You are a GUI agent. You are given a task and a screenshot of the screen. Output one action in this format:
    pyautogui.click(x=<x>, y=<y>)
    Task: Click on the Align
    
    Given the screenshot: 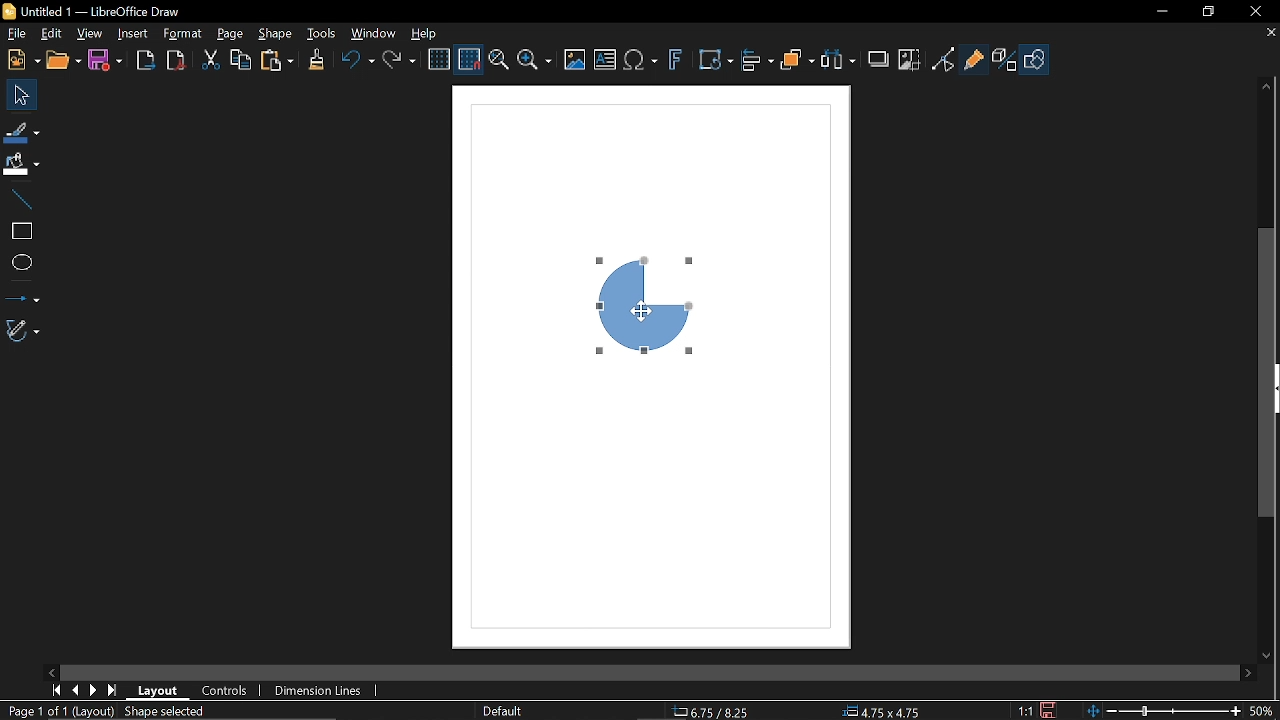 What is the action you would take?
    pyautogui.click(x=757, y=61)
    